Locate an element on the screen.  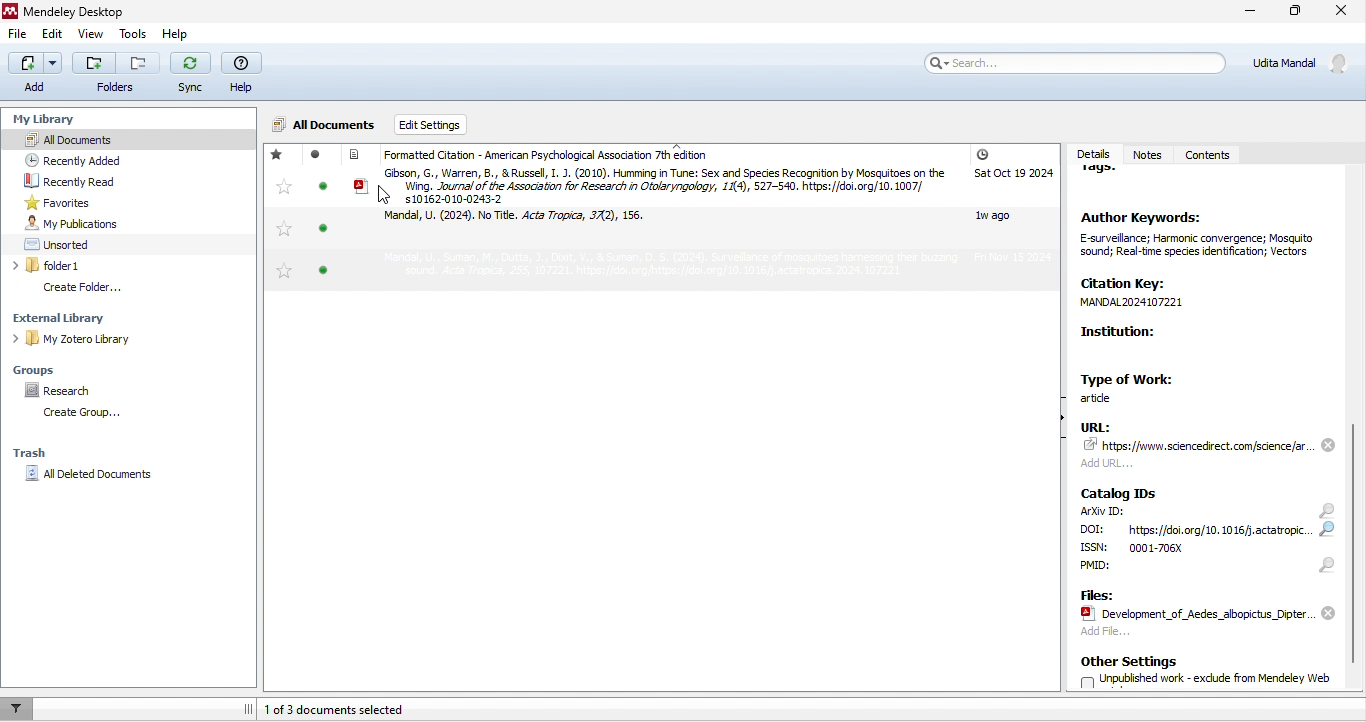
type of work is located at coordinates (1136, 386).